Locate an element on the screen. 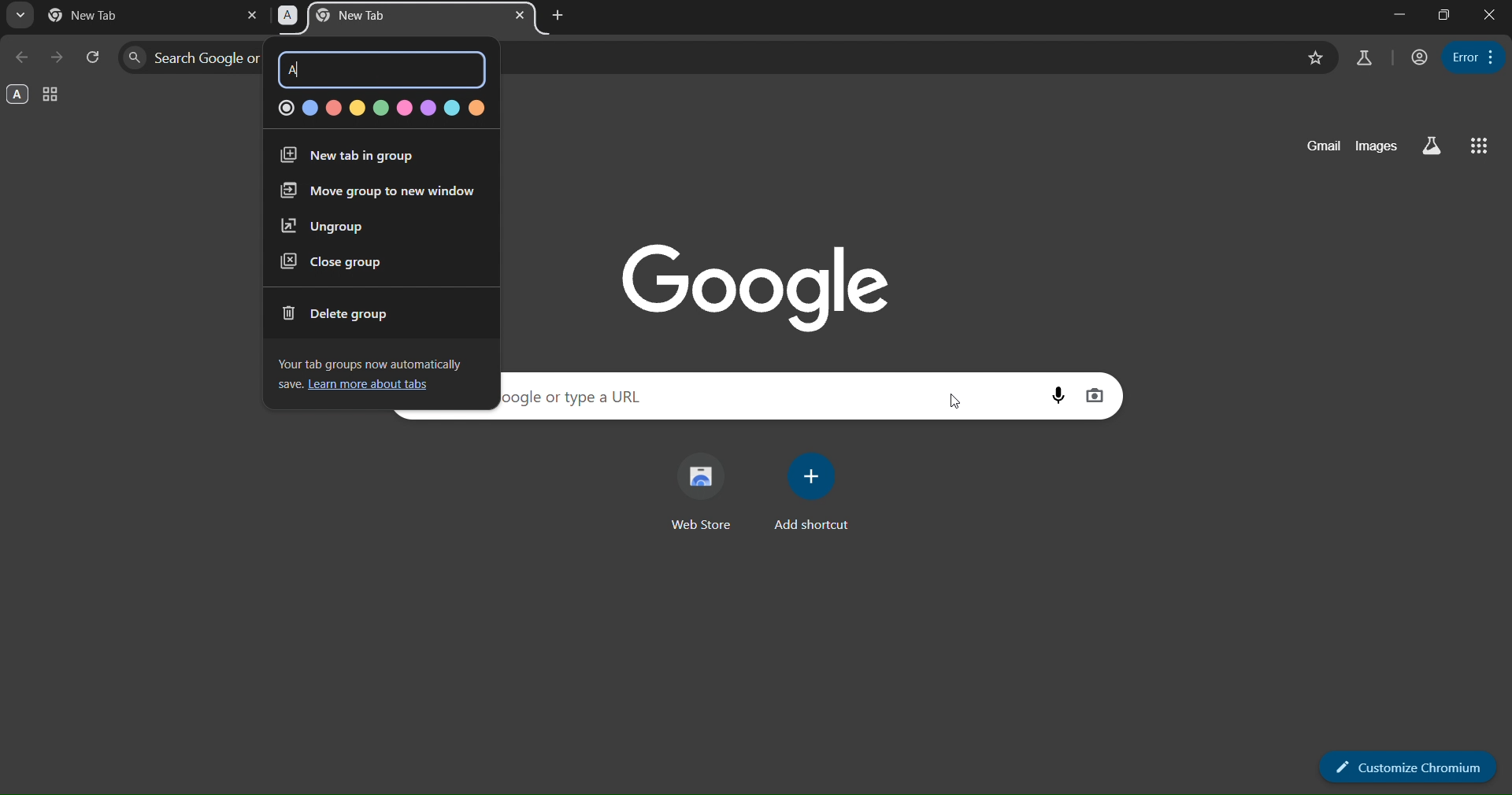 Image resolution: width=1512 pixels, height=795 pixels. go forward one page is located at coordinates (56, 59).